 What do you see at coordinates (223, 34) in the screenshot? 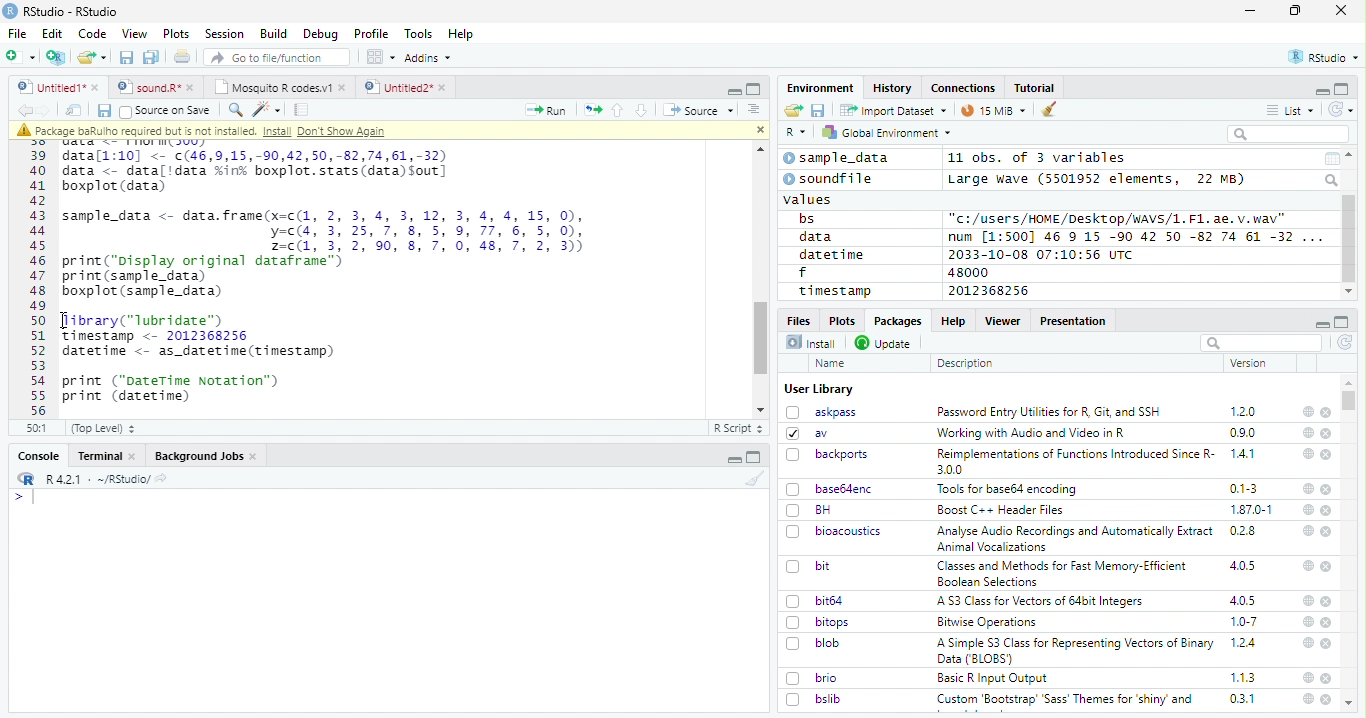
I see `Session` at bounding box center [223, 34].